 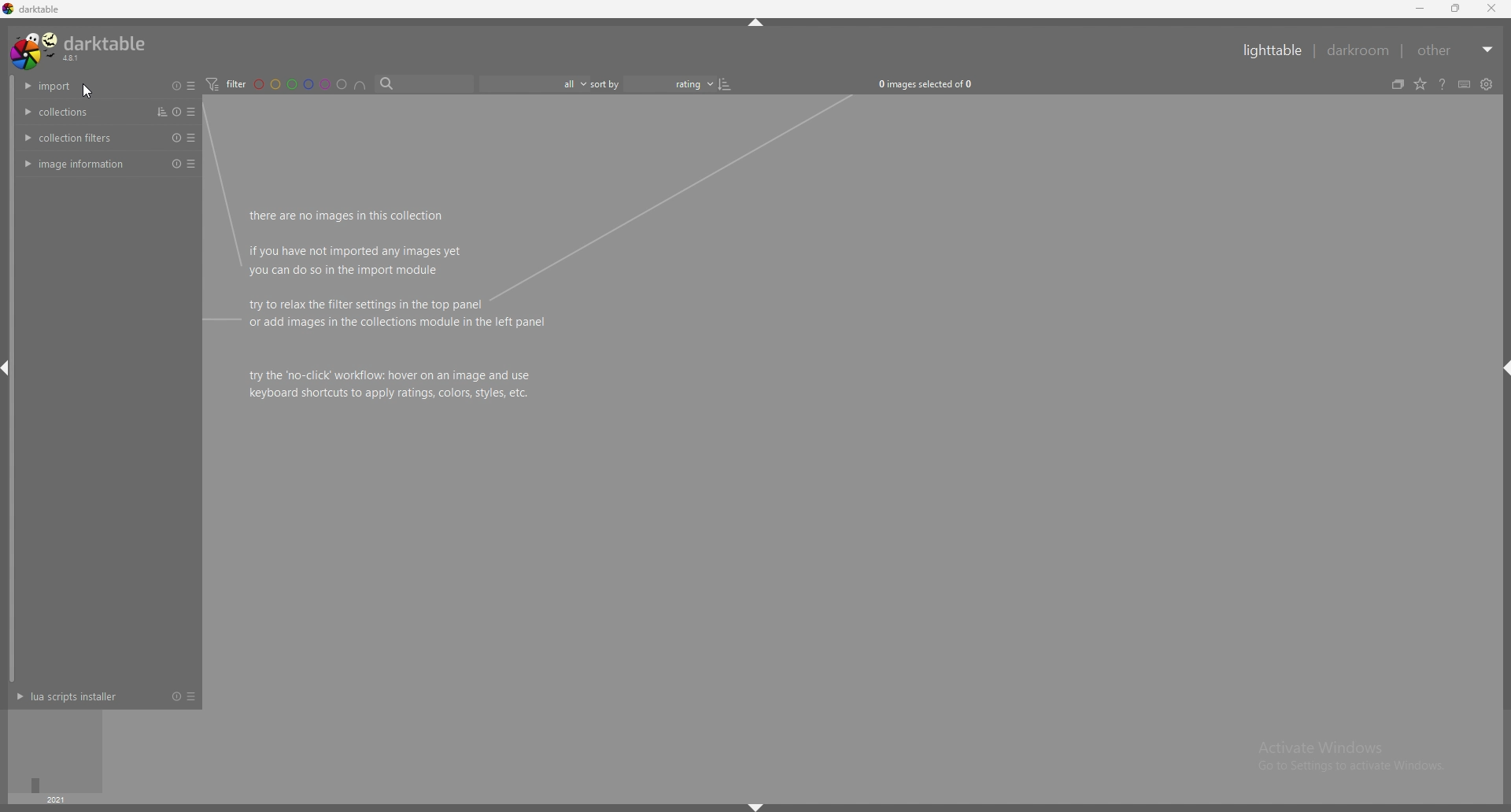 What do you see at coordinates (1443, 84) in the screenshot?
I see `help` at bounding box center [1443, 84].